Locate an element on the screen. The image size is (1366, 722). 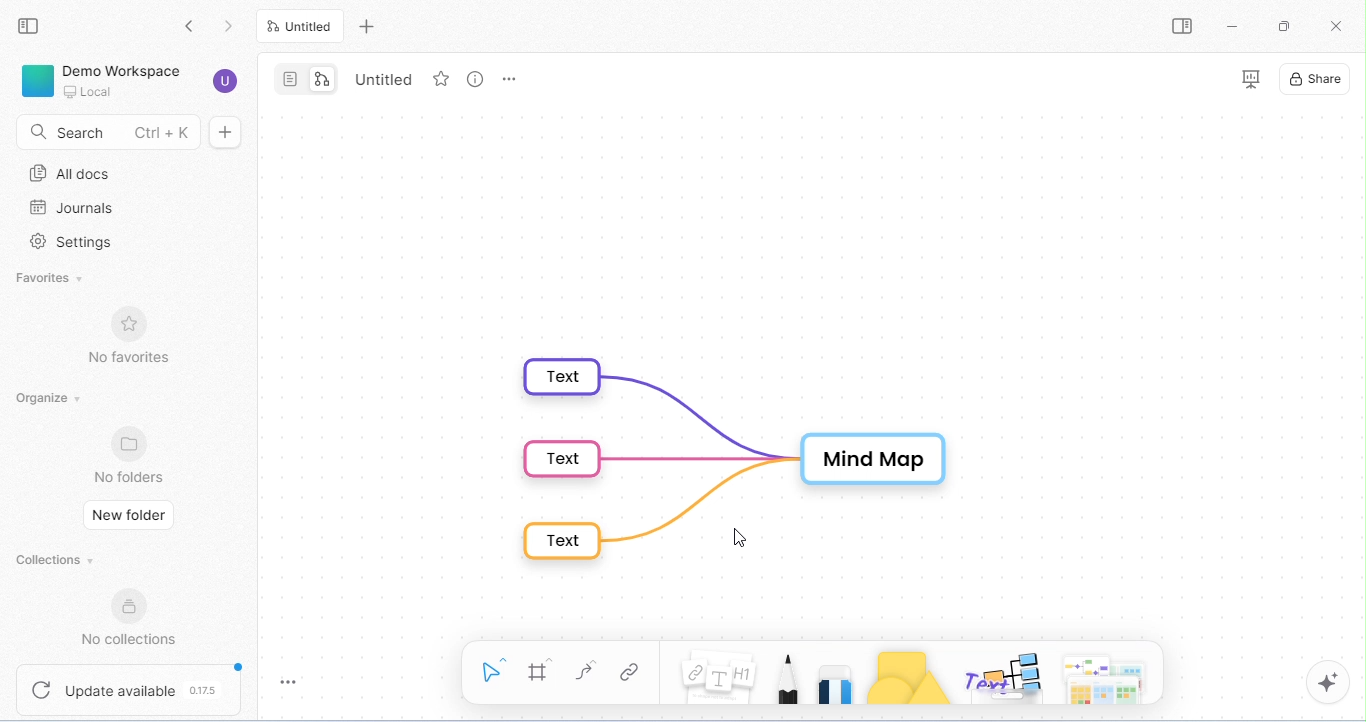
connectors is located at coordinates (586, 672).